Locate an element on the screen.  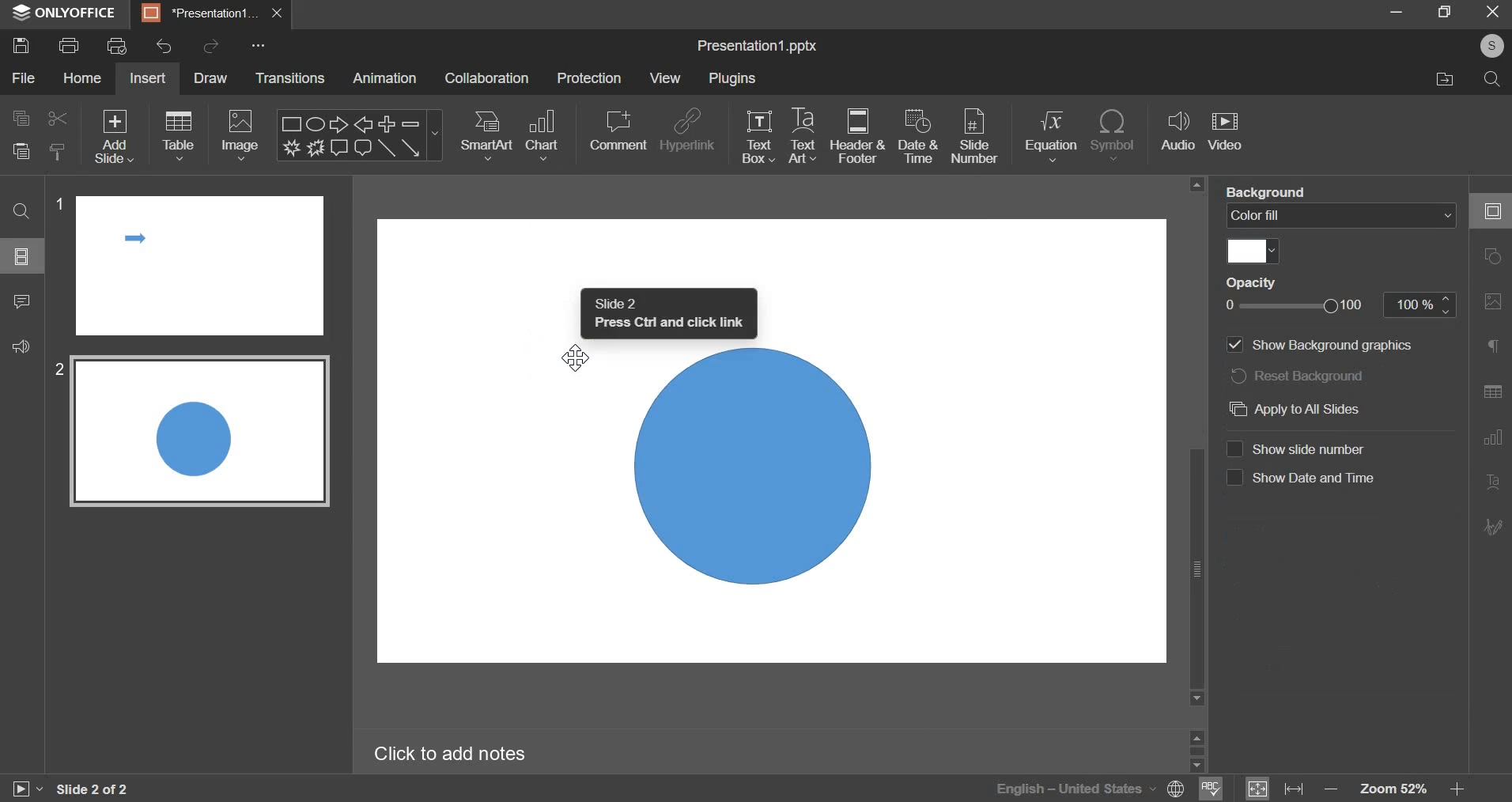
table is located at coordinates (178, 136).